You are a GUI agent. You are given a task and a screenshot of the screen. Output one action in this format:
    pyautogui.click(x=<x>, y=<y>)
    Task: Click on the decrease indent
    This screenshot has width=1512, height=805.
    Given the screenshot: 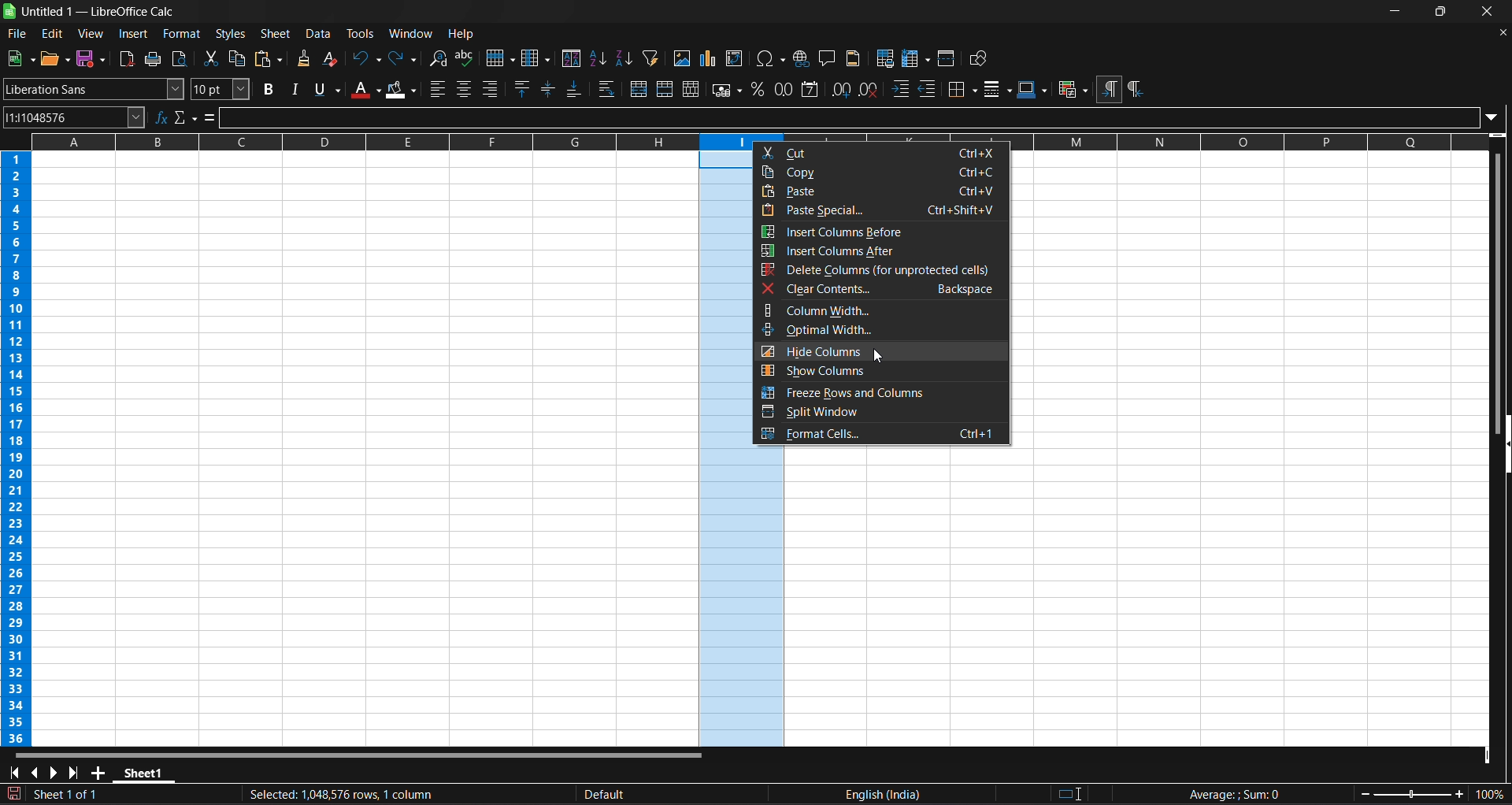 What is the action you would take?
    pyautogui.click(x=928, y=88)
    